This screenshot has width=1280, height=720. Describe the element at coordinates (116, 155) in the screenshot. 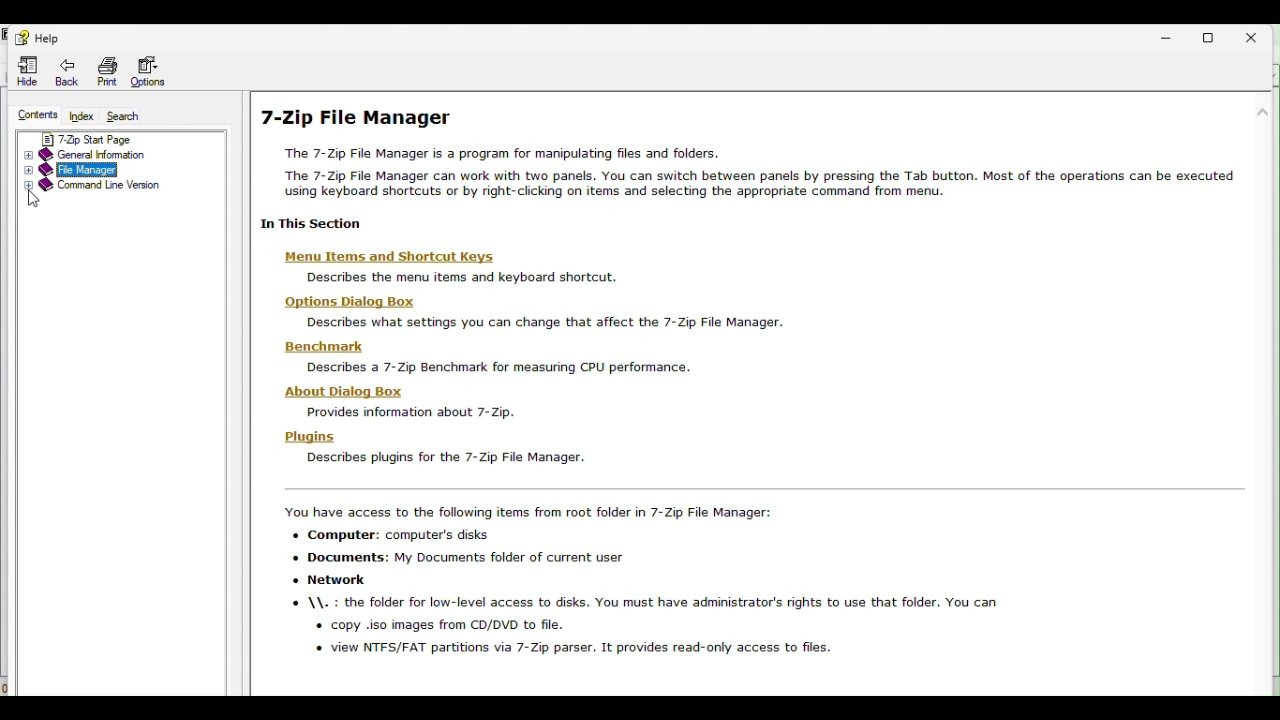

I see `General information` at that location.